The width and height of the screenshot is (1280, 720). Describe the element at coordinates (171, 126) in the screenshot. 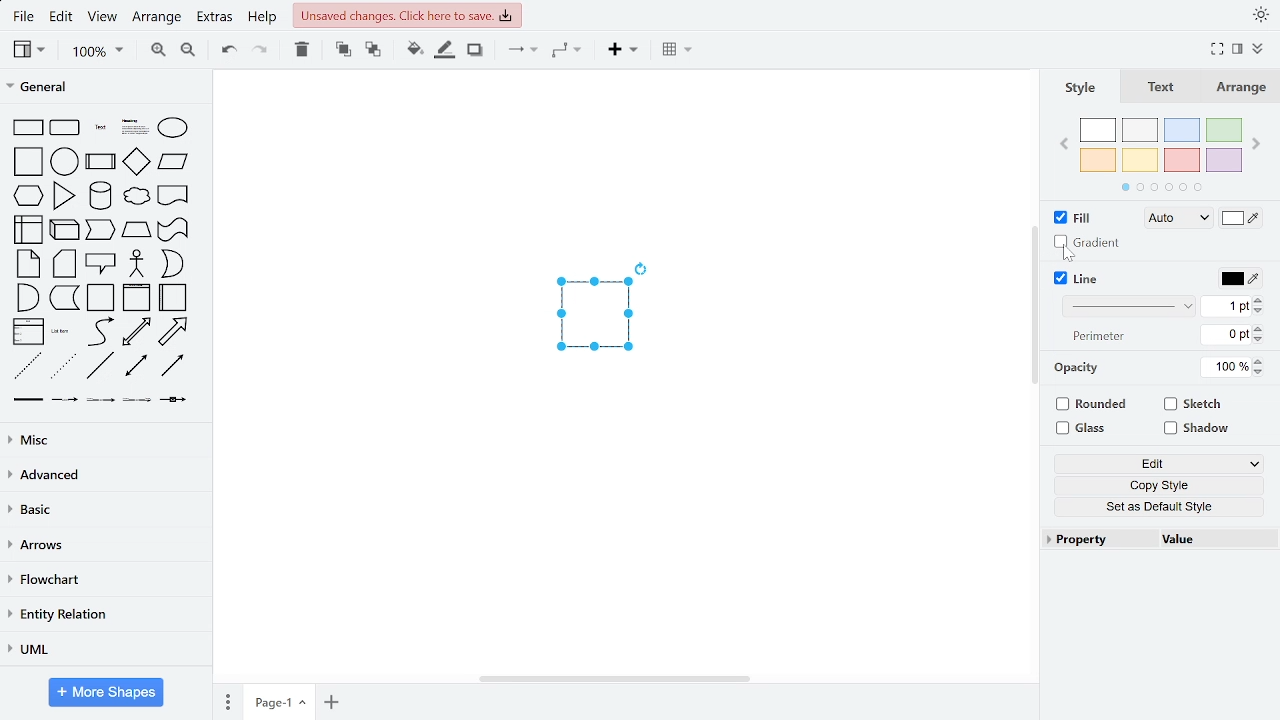

I see `general shapes` at that location.